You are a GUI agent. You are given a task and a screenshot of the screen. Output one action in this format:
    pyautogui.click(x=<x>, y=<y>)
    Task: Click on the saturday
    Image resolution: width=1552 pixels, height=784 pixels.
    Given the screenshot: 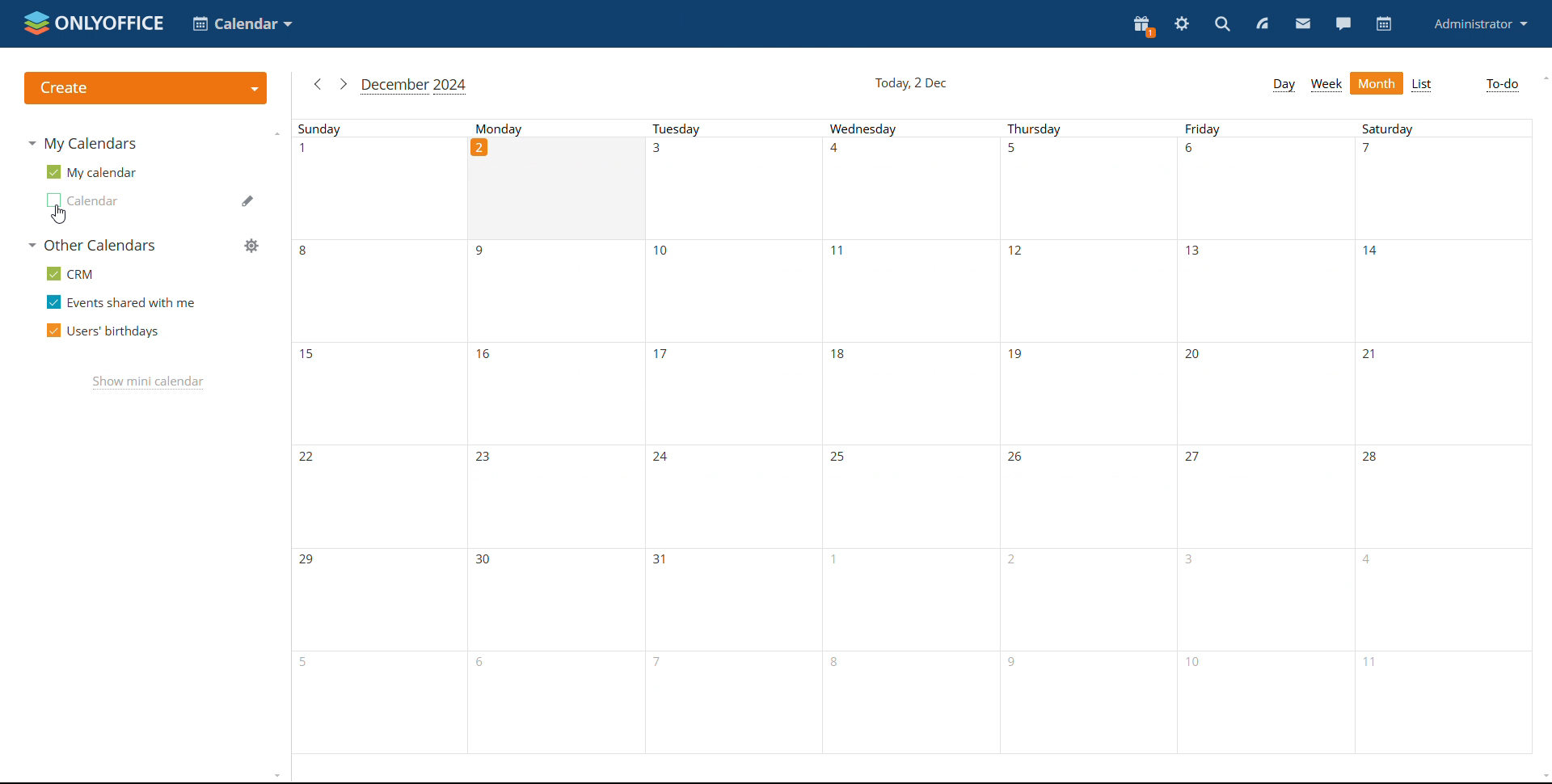 What is the action you would take?
    pyautogui.click(x=1444, y=127)
    